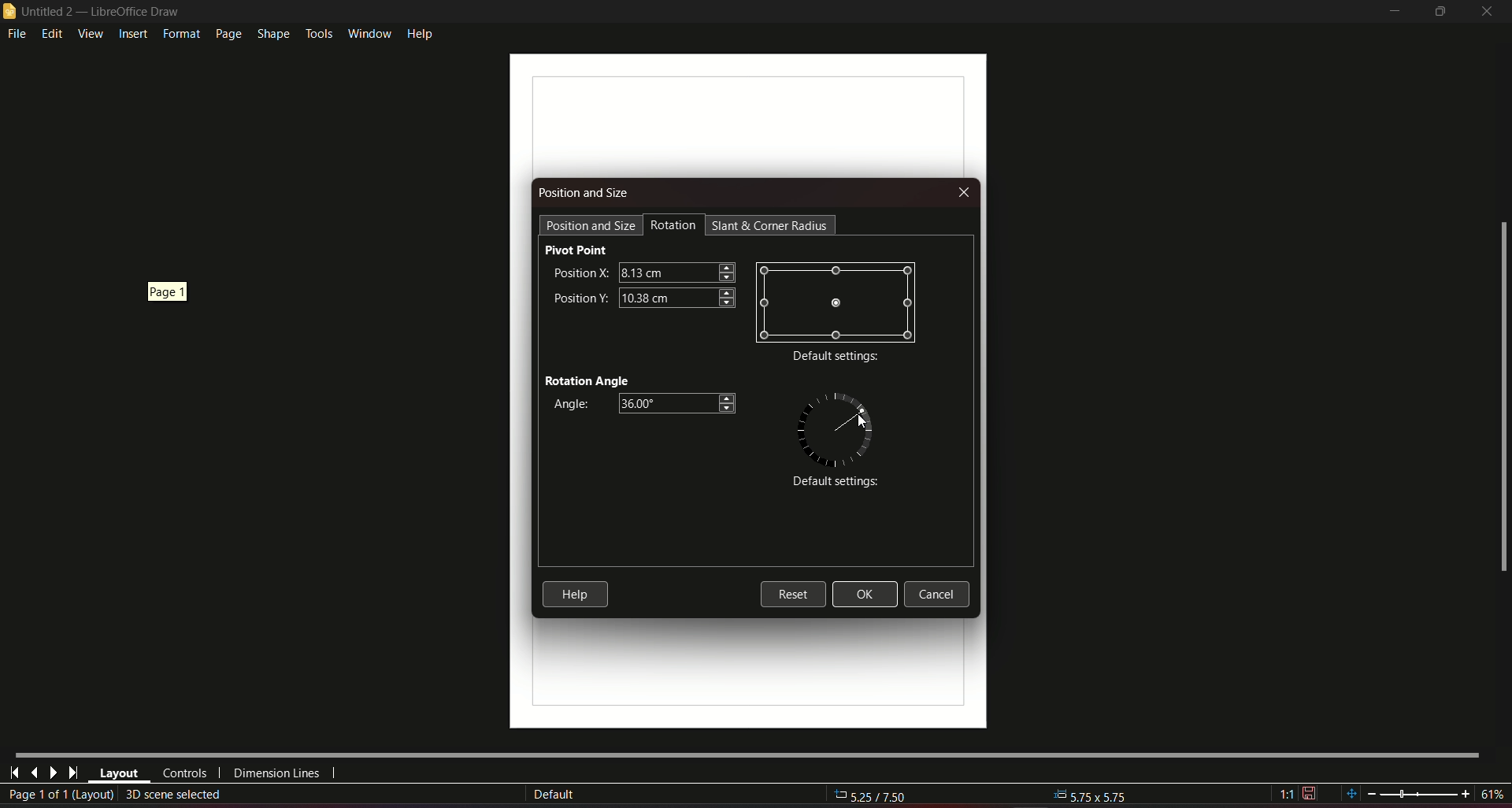  I want to click on graphic, so click(836, 302).